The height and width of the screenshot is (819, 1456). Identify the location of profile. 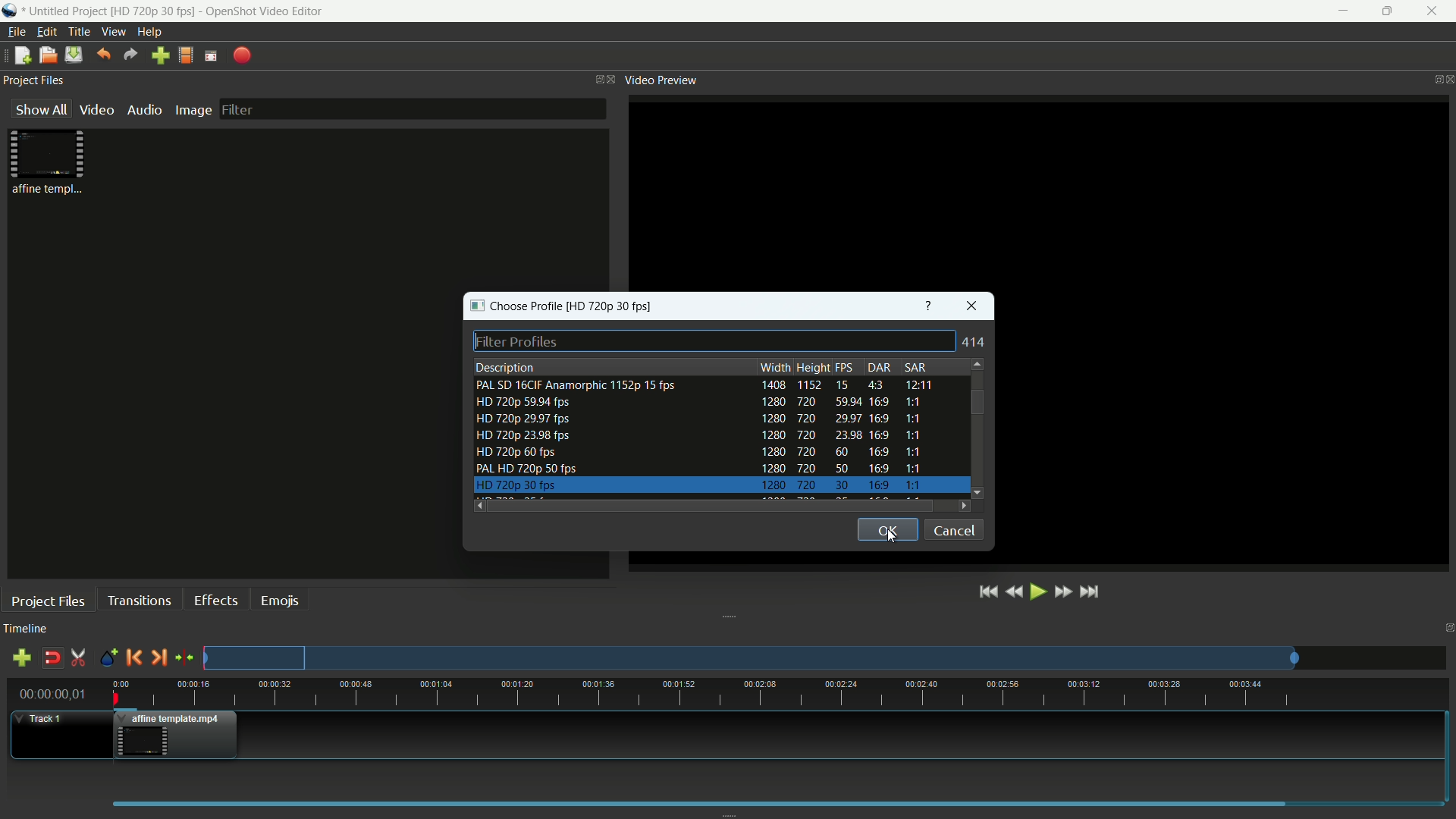
(613, 308).